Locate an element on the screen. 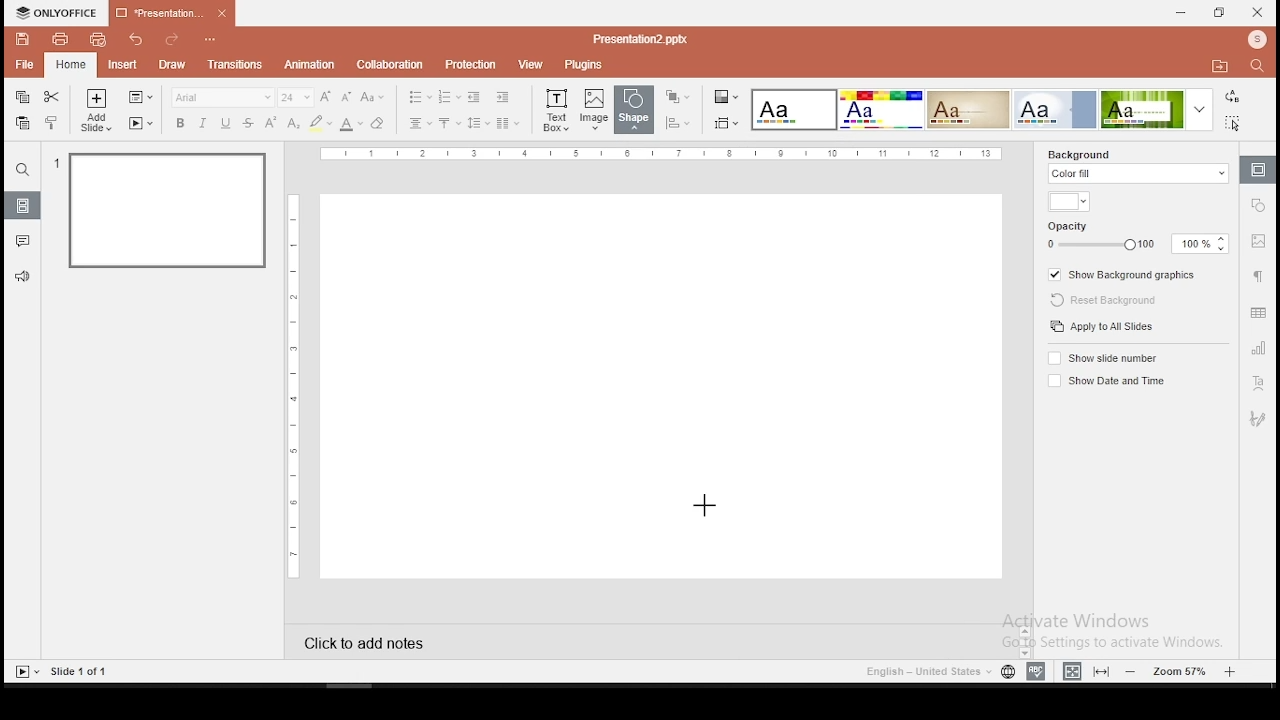  click to add notes is located at coordinates (382, 641).